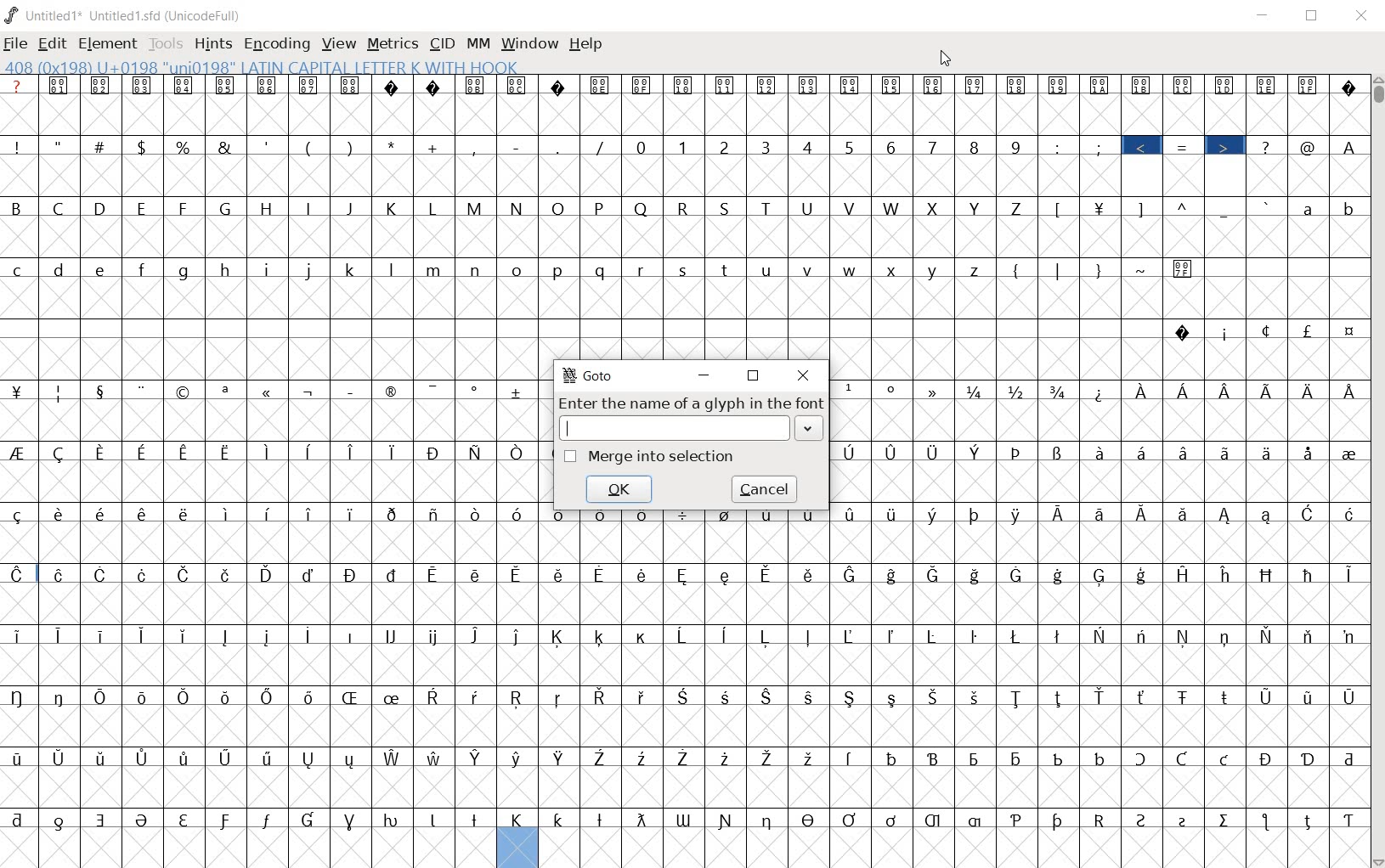  What do you see at coordinates (1328, 207) in the screenshot?
I see `small letters a b` at bounding box center [1328, 207].